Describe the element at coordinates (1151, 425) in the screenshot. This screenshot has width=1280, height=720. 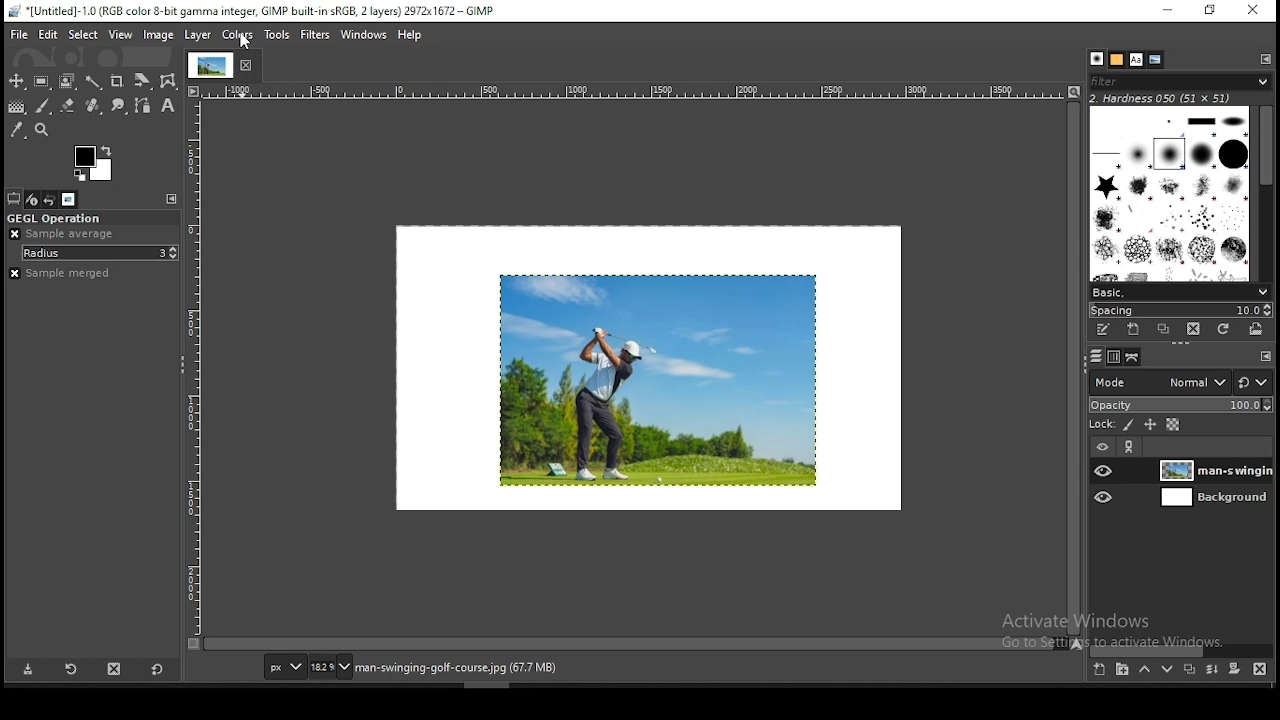
I see `lock size and position` at that location.